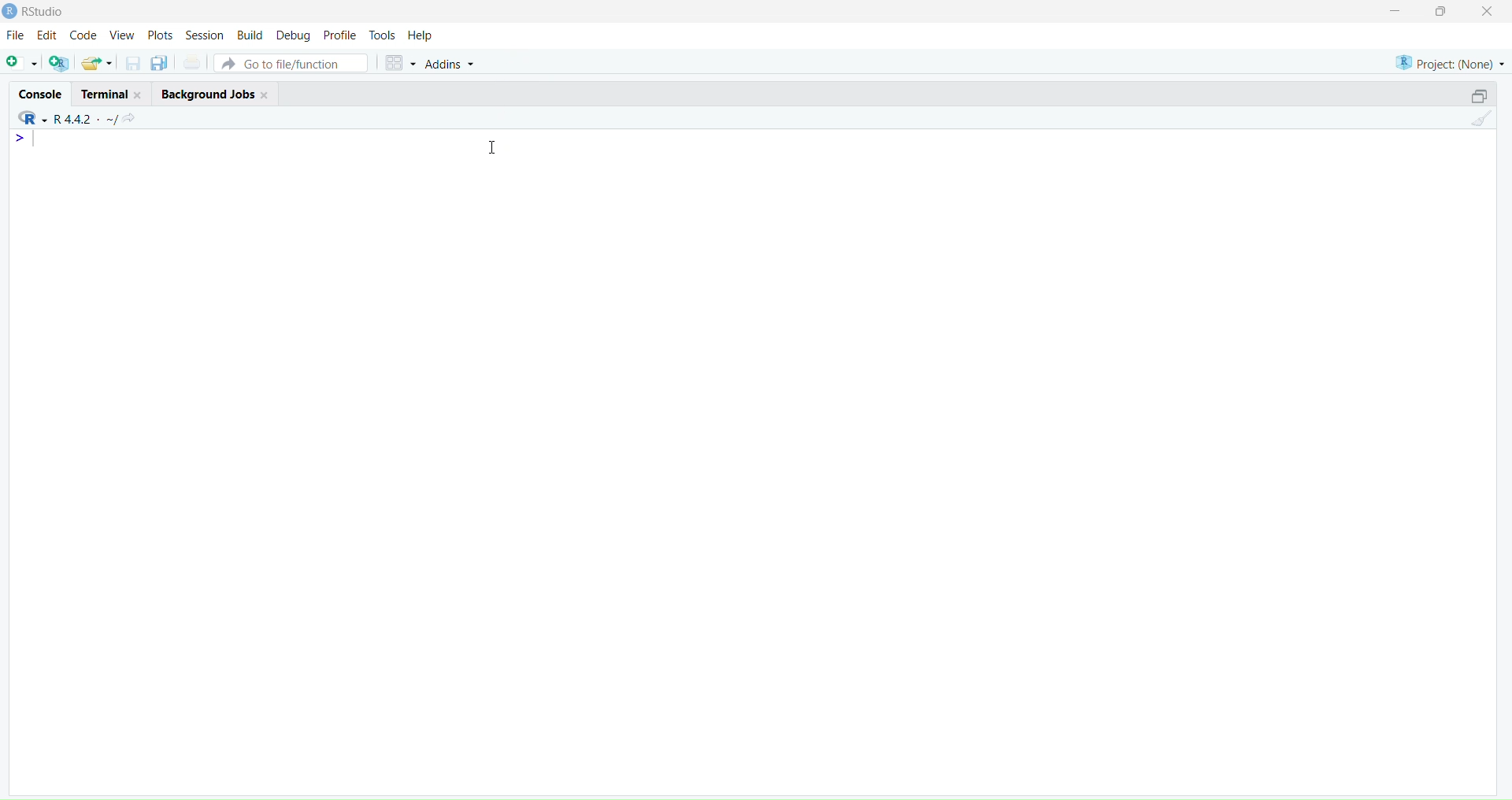 Image resolution: width=1512 pixels, height=800 pixels. What do you see at coordinates (43, 94) in the screenshot?
I see `console` at bounding box center [43, 94].